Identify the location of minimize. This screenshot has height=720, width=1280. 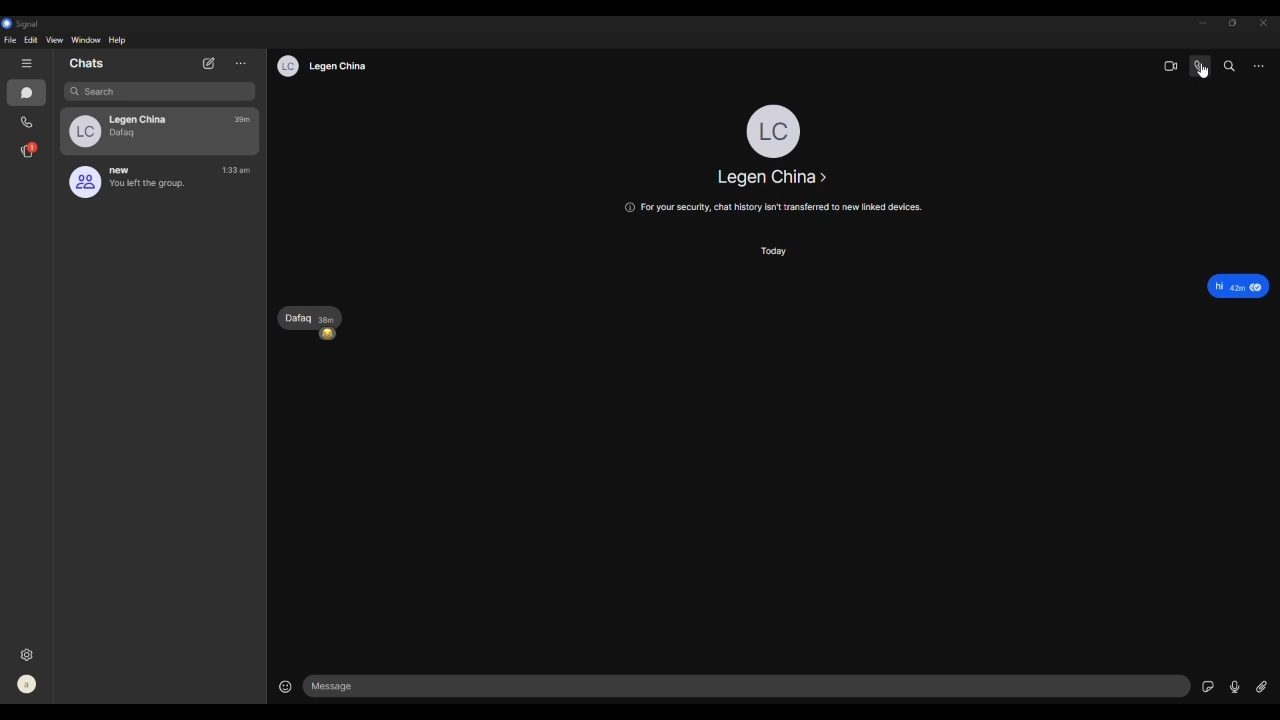
(1203, 23).